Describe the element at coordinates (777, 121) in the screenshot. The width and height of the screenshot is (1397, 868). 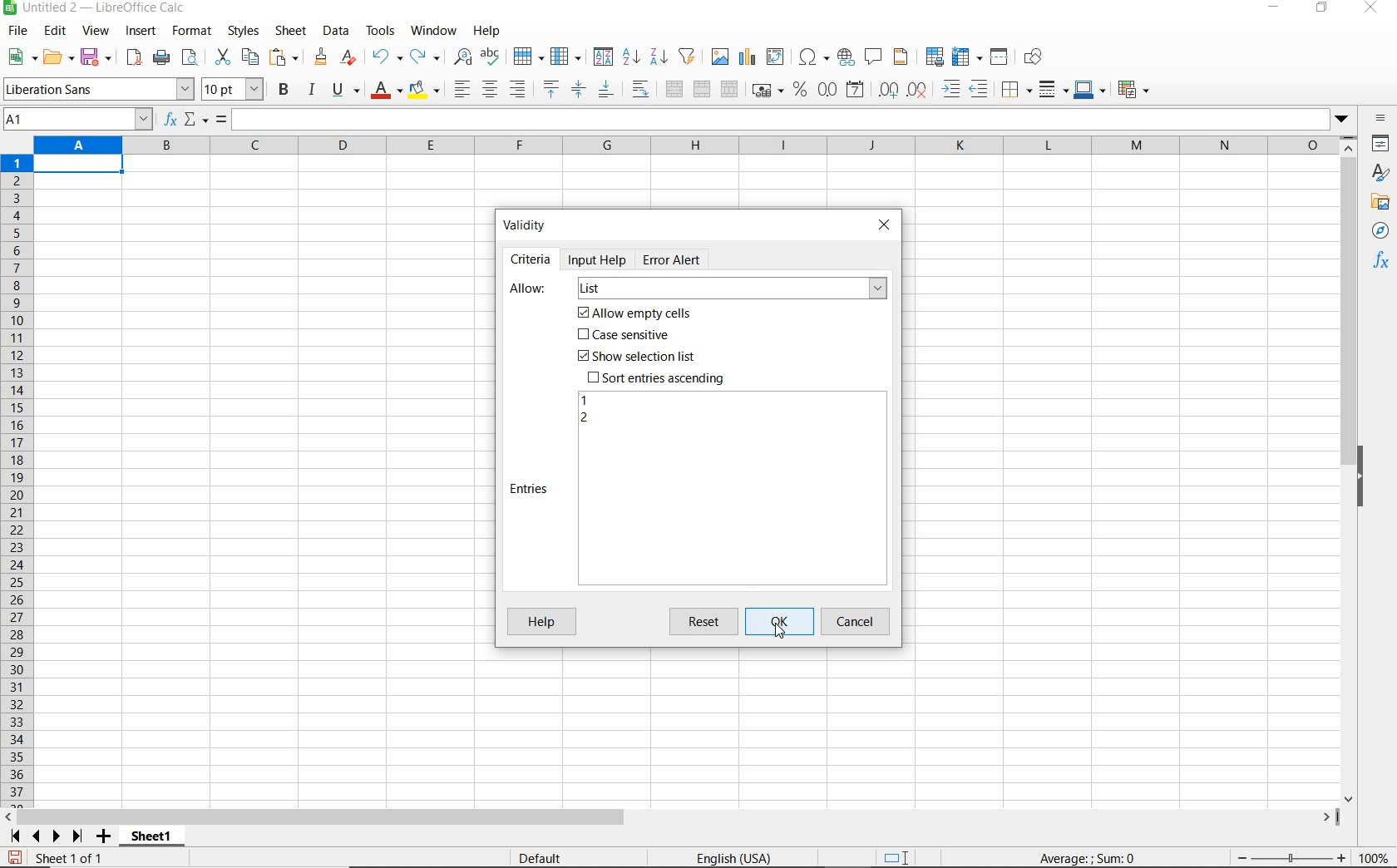
I see `expand formula bar/input line` at that location.